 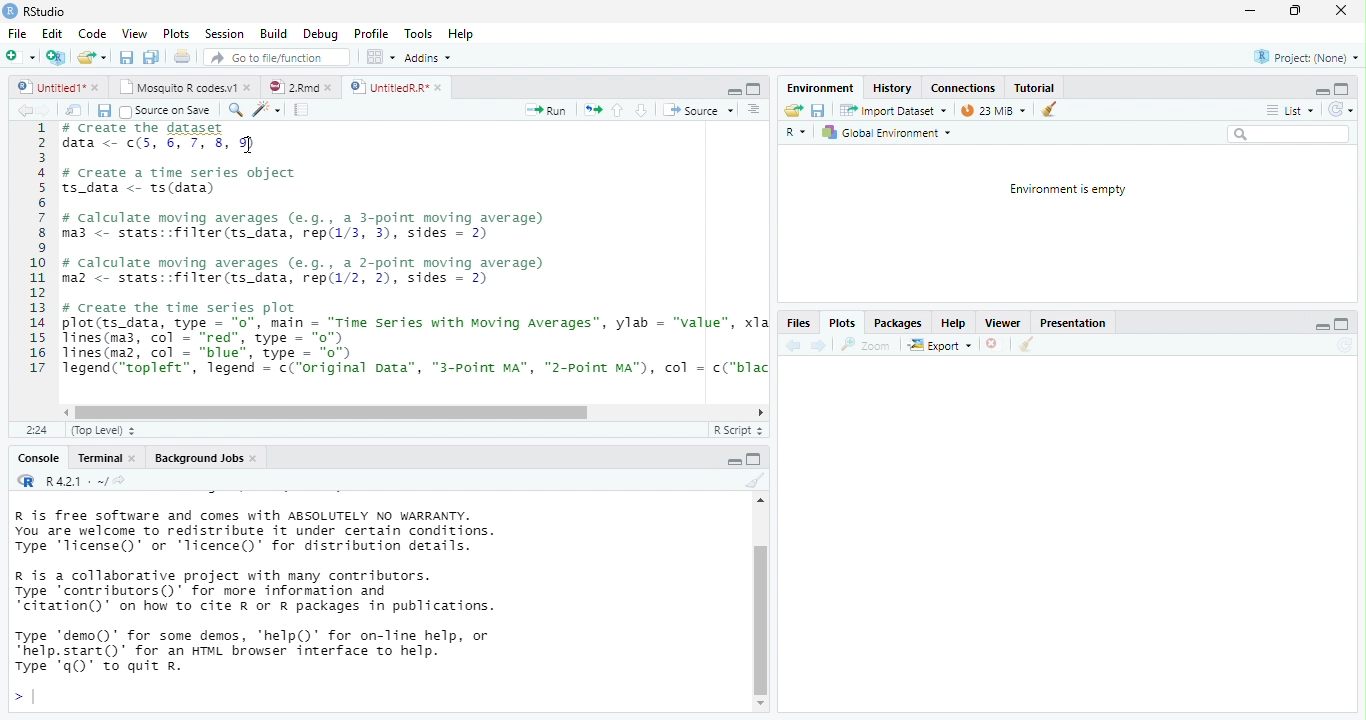 I want to click on view the current working directory, so click(x=120, y=480).